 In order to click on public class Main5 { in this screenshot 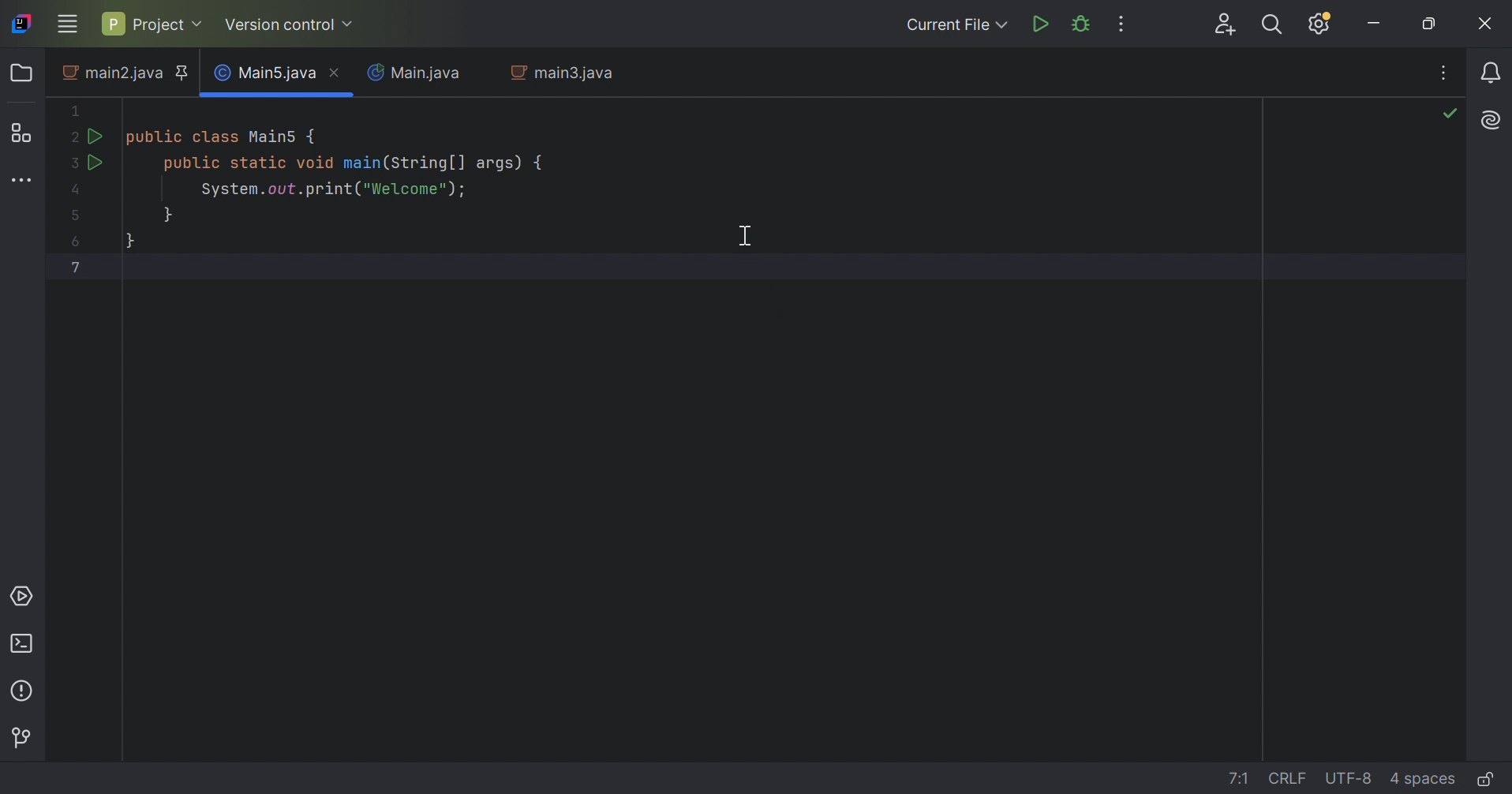, I will do `click(229, 134)`.